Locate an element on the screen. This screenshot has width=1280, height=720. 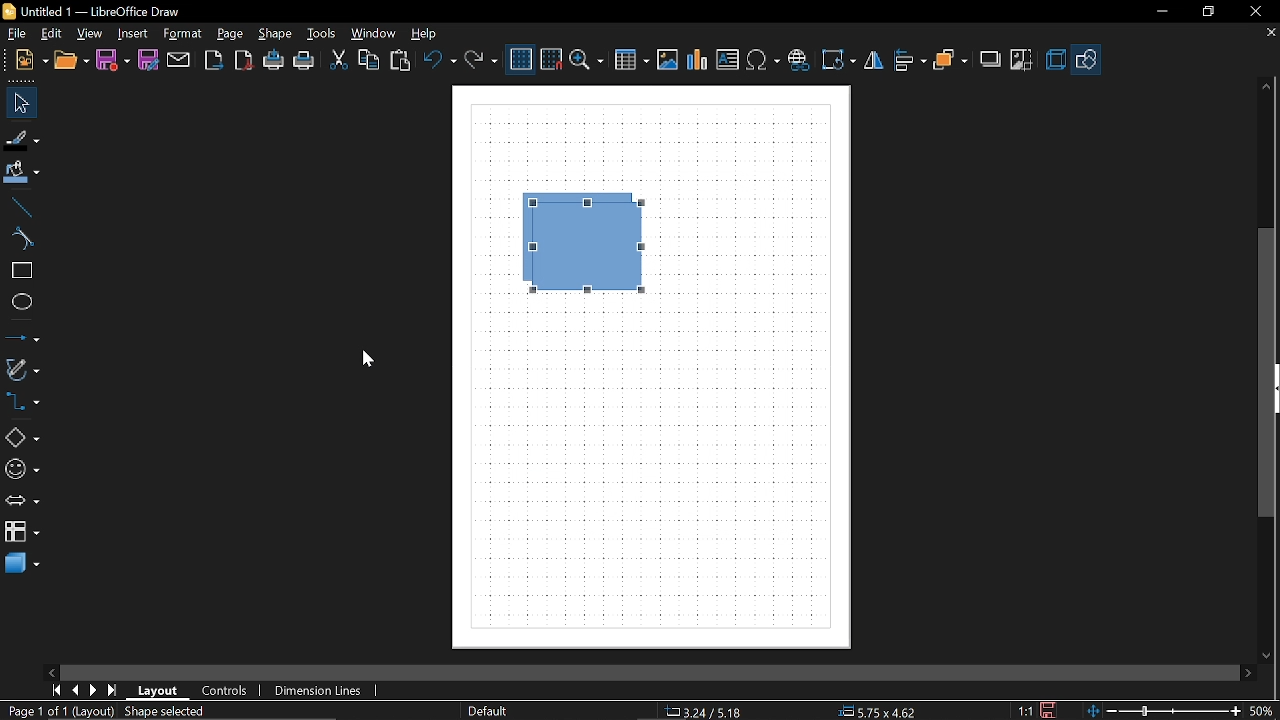
Rectangle is located at coordinates (18, 271).